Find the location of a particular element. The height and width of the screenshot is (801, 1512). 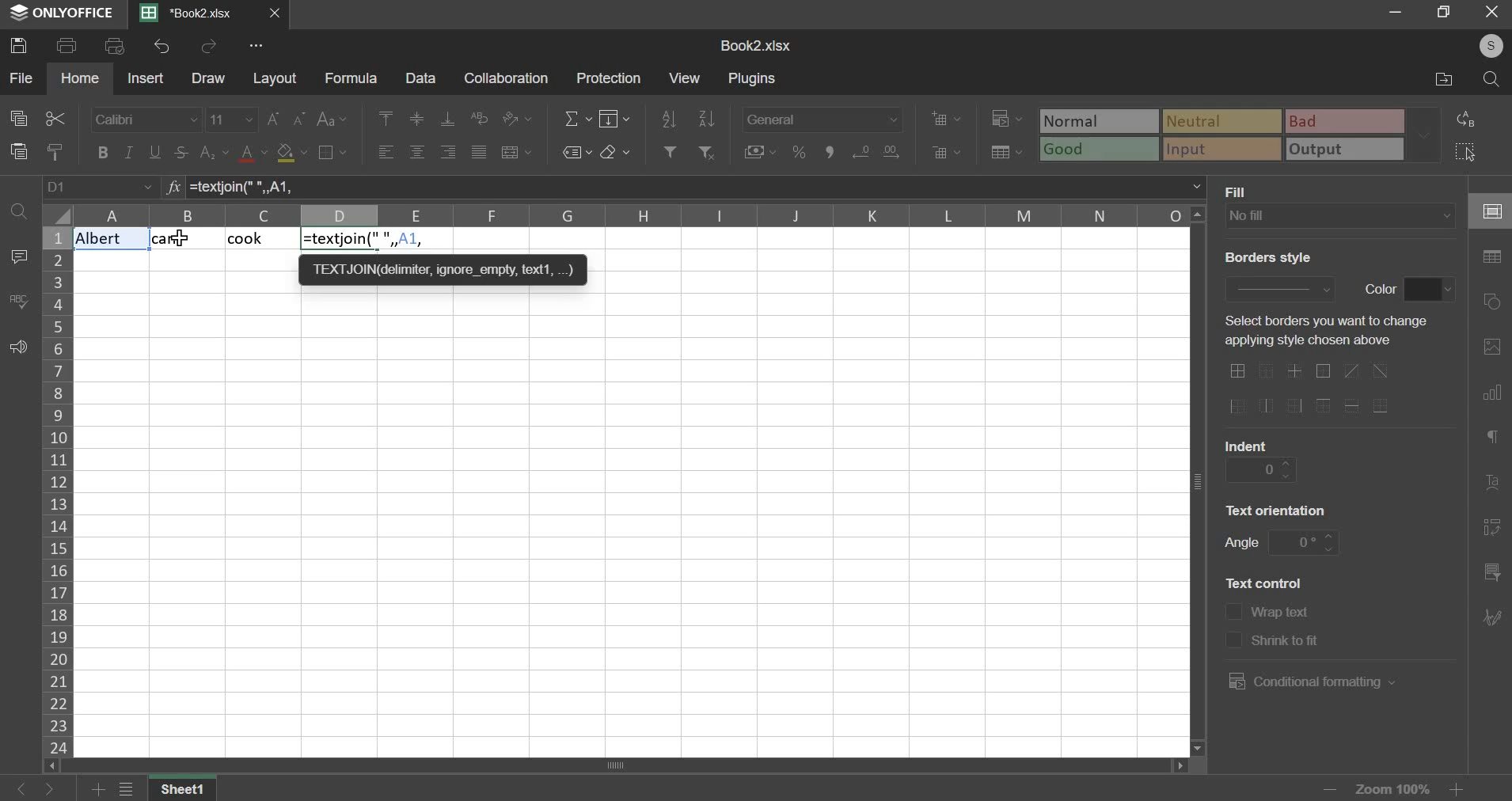

change case is located at coordinates (331, 120).